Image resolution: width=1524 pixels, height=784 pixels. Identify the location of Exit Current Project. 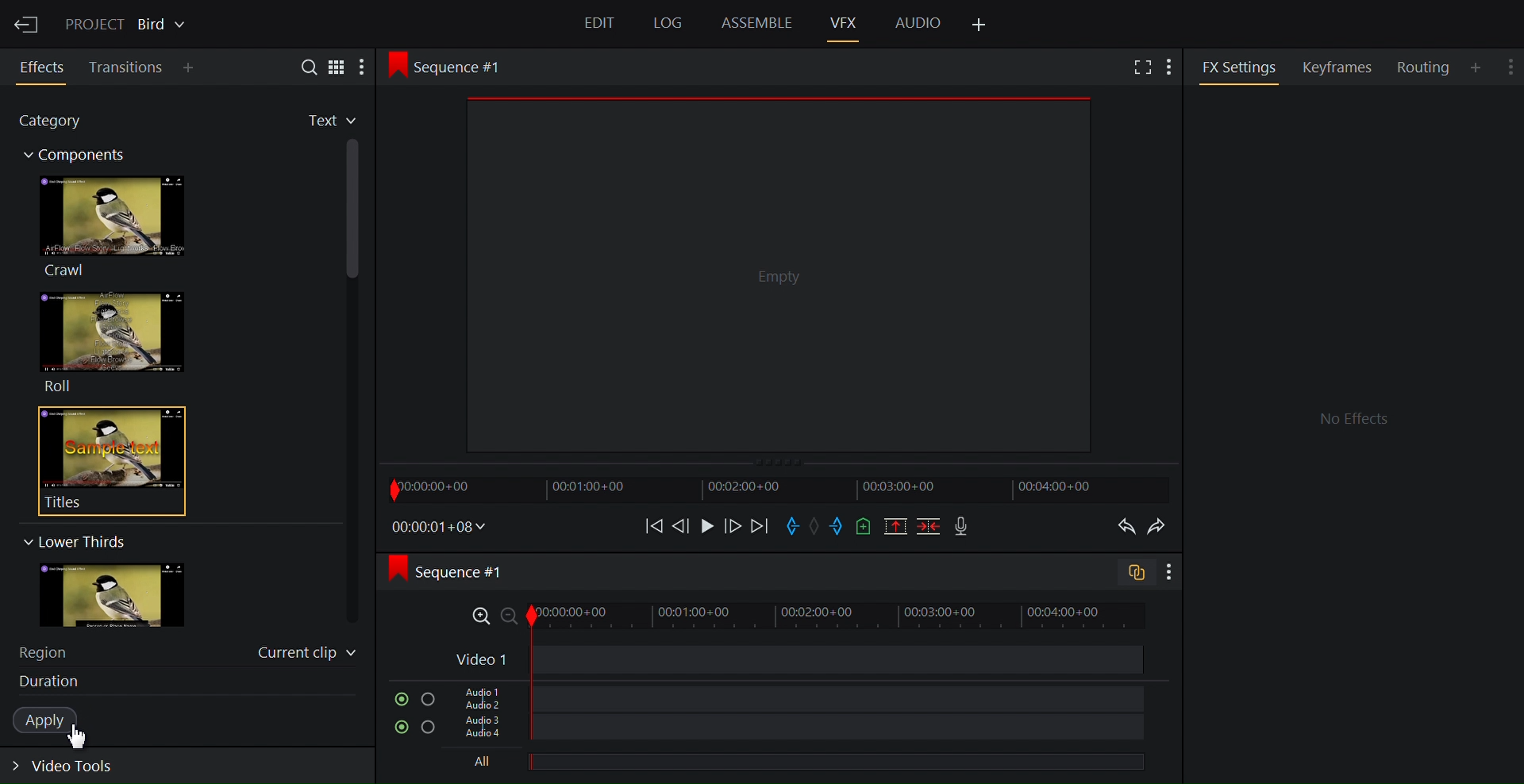
(28, 22).